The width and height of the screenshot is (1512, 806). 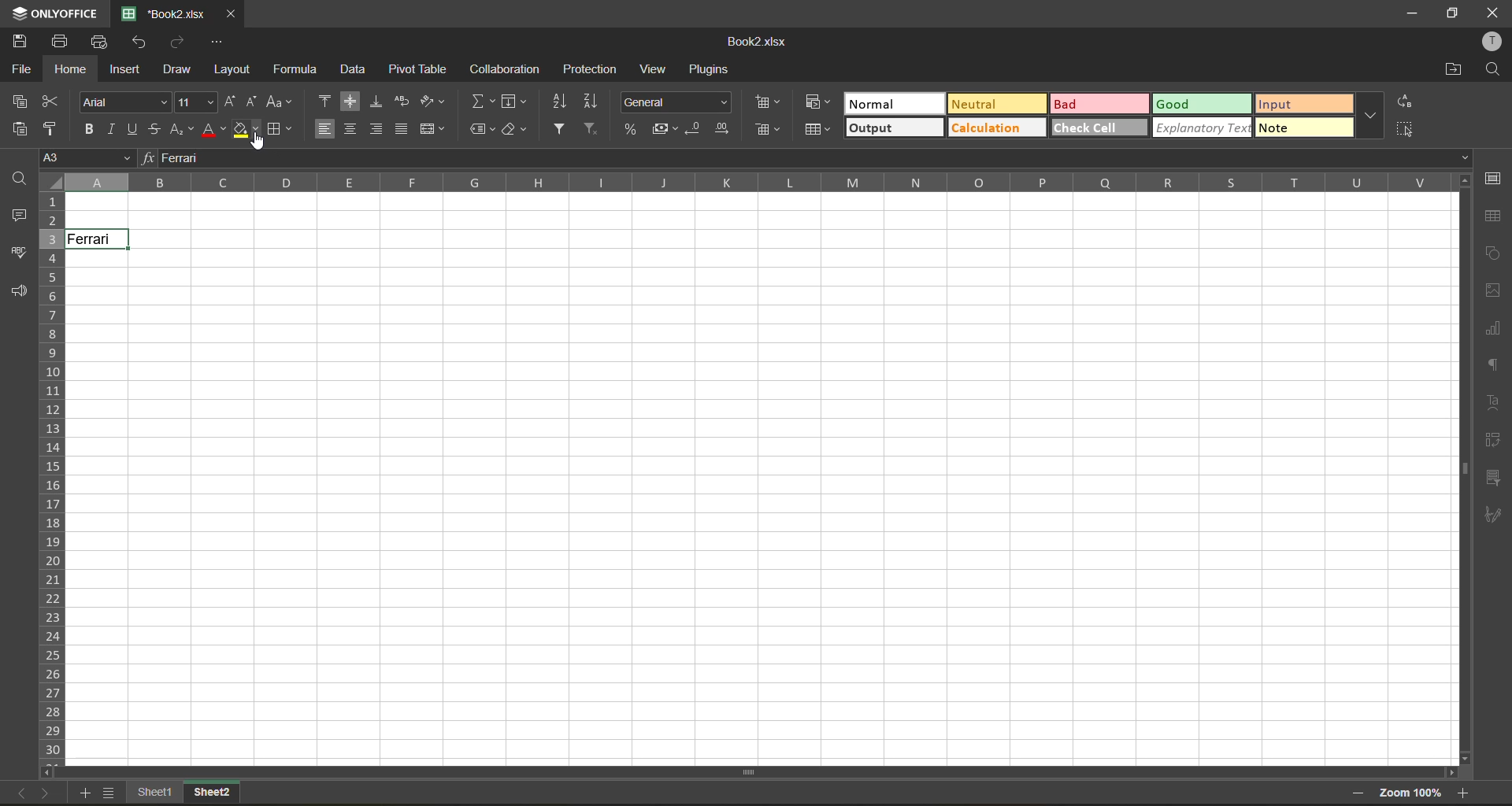 What do you see at coordinates (254, 102) in the screenshot?
I see `decrement size` at bounding box center [254, 102].